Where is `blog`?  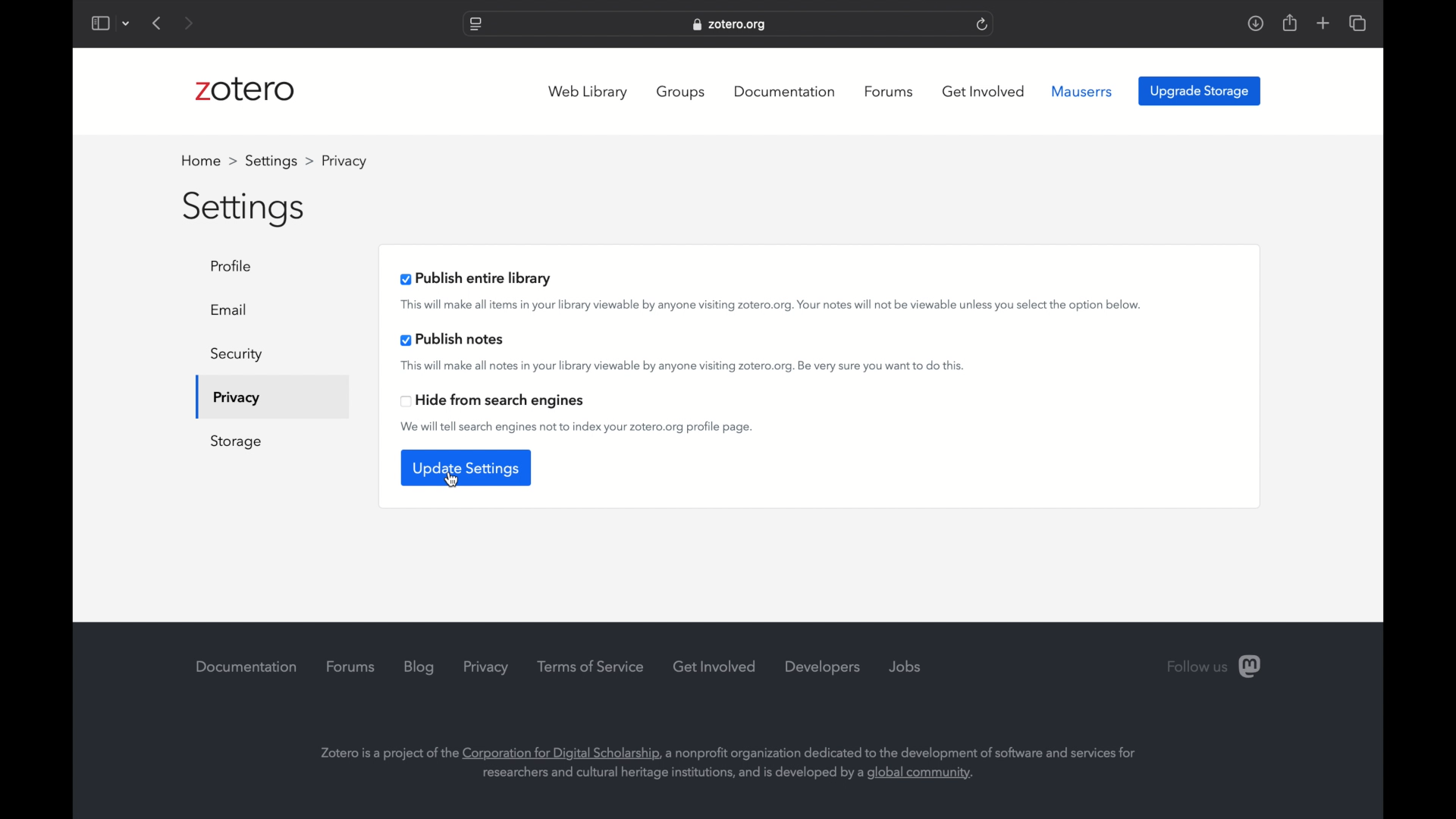 blog is located at coordinates (419, 667).